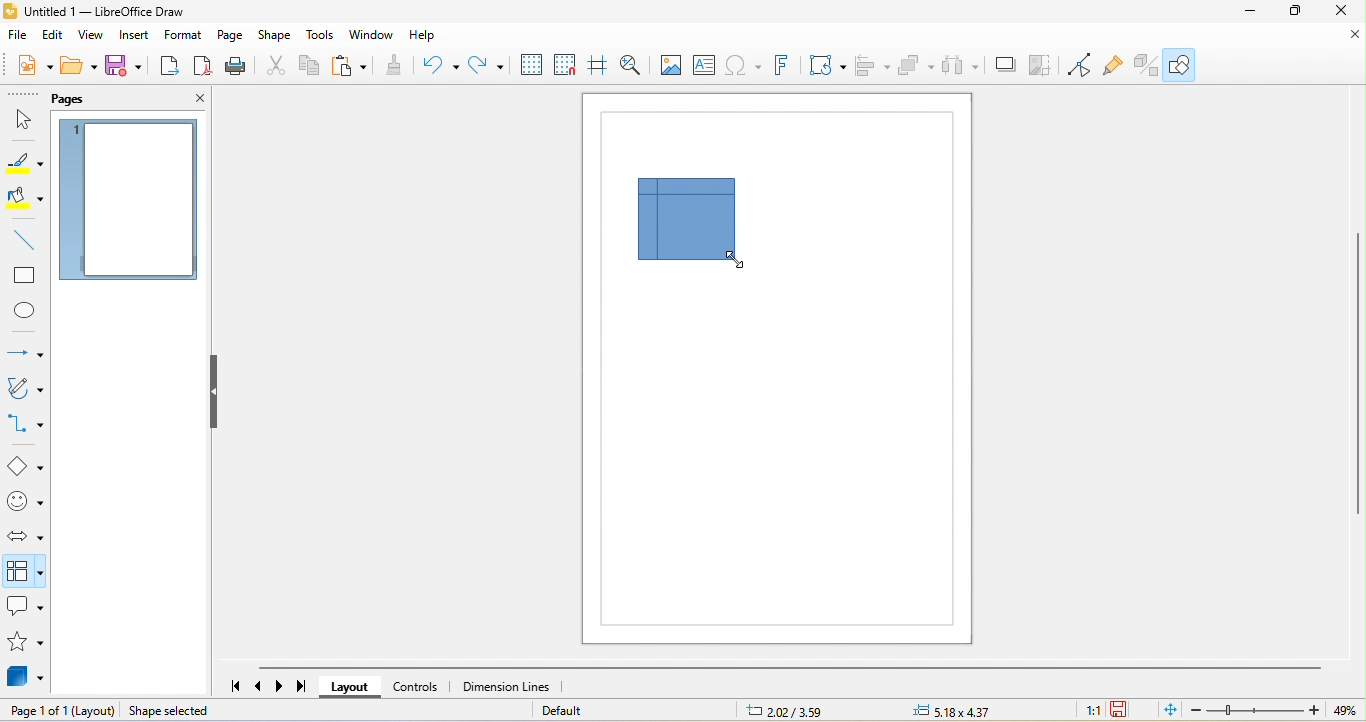 The image size is (1366, 722). I want to click on flowchart, so click(686, 219).